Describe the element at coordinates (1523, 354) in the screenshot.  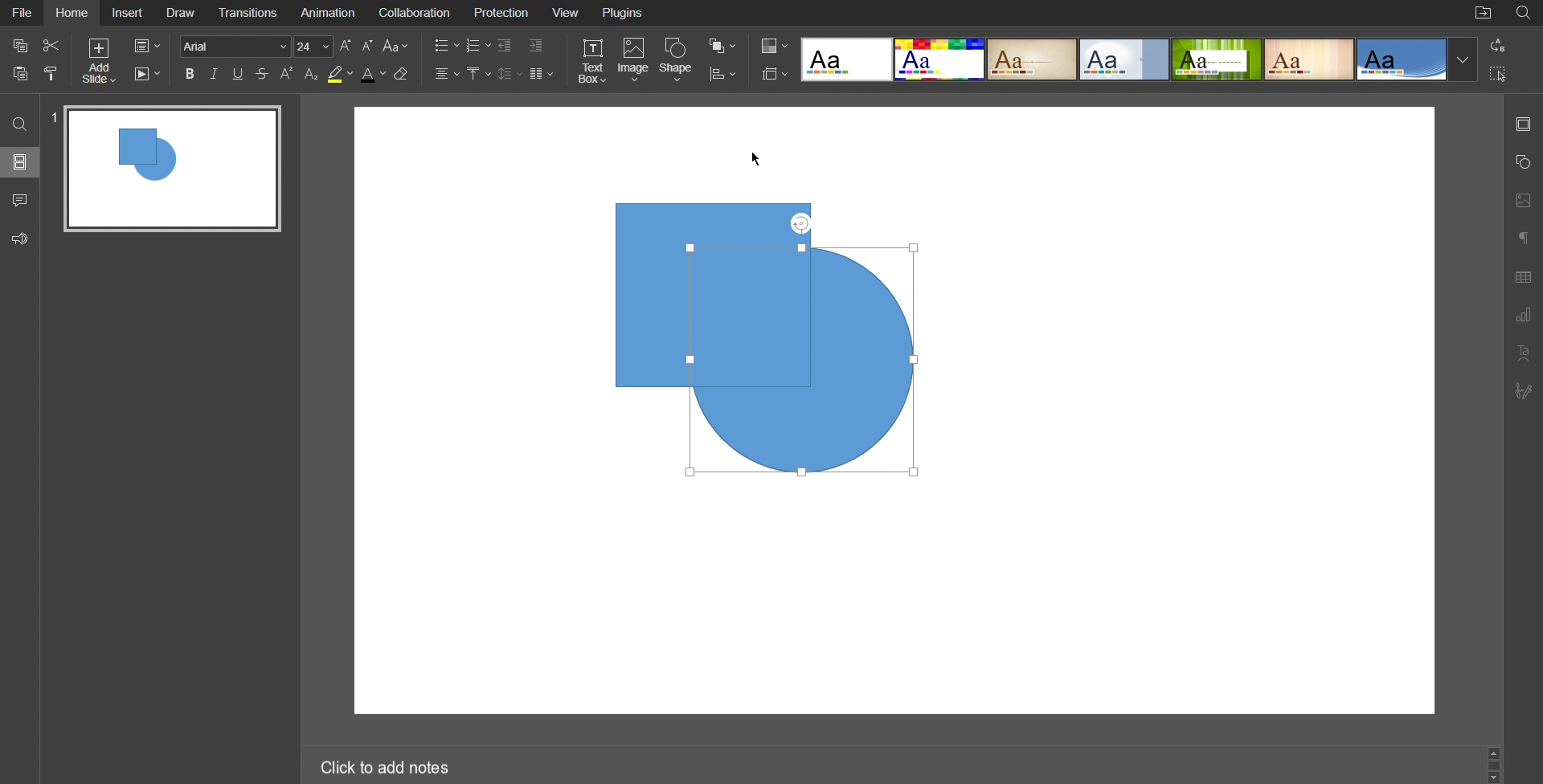
I see `Text Art` at that location.